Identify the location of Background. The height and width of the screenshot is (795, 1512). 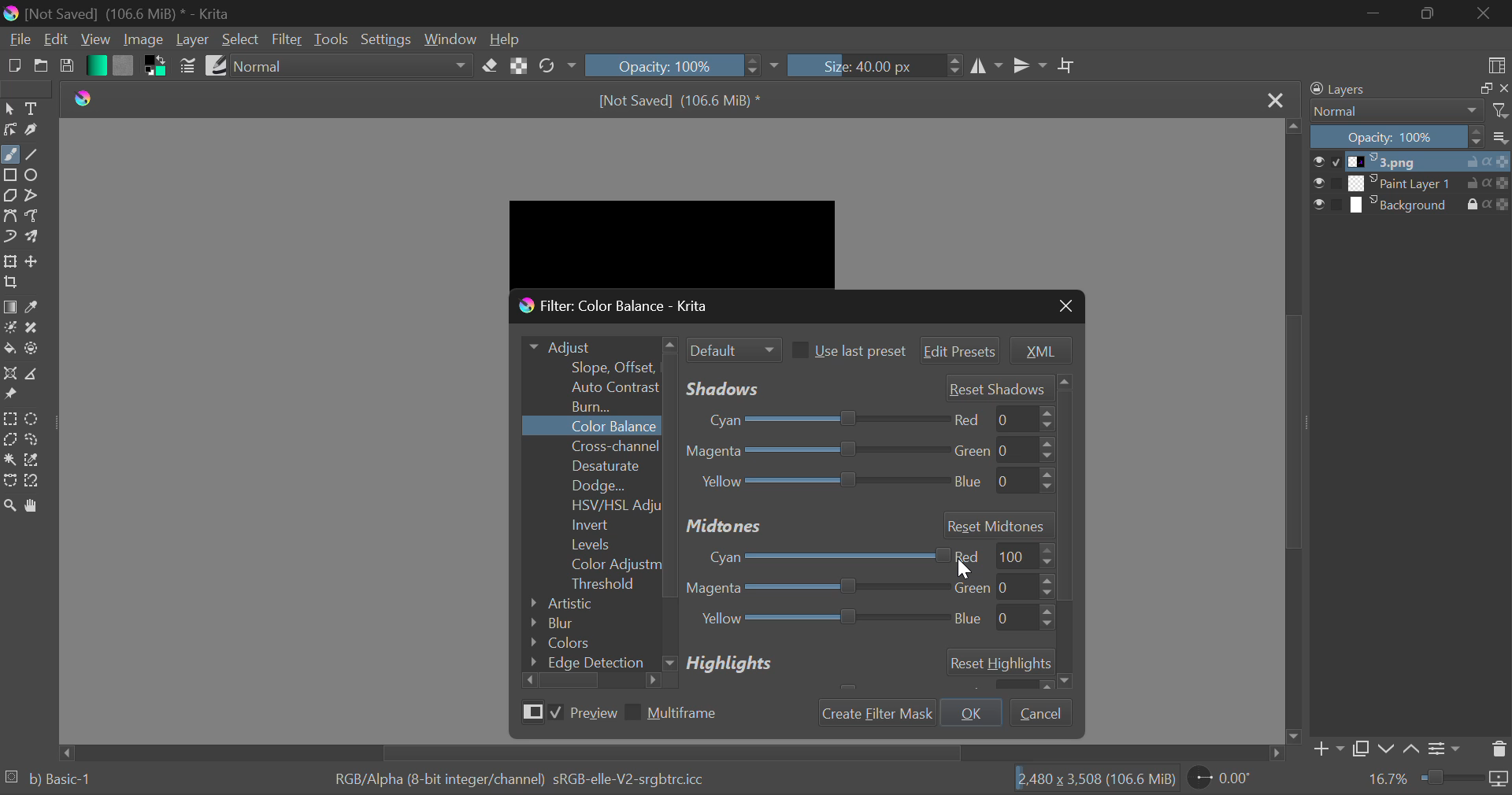
(1411, 207).